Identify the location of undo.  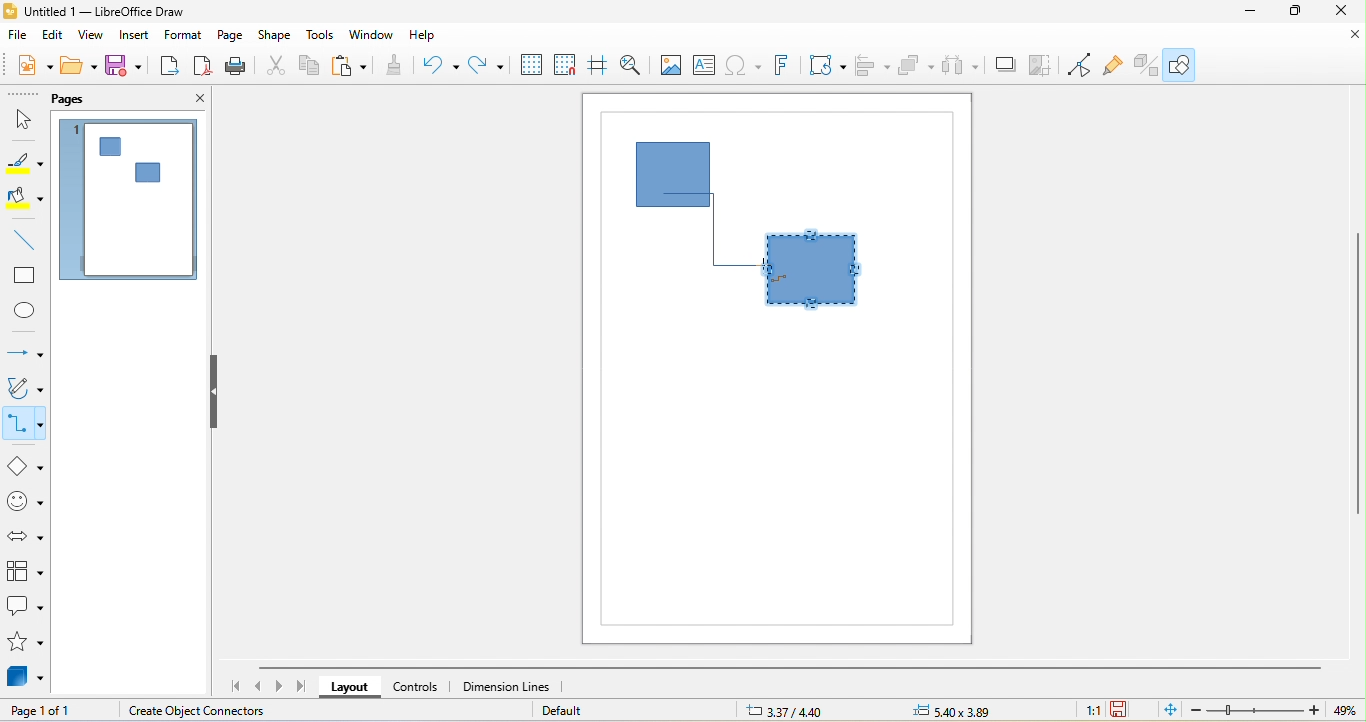
(443, 67).